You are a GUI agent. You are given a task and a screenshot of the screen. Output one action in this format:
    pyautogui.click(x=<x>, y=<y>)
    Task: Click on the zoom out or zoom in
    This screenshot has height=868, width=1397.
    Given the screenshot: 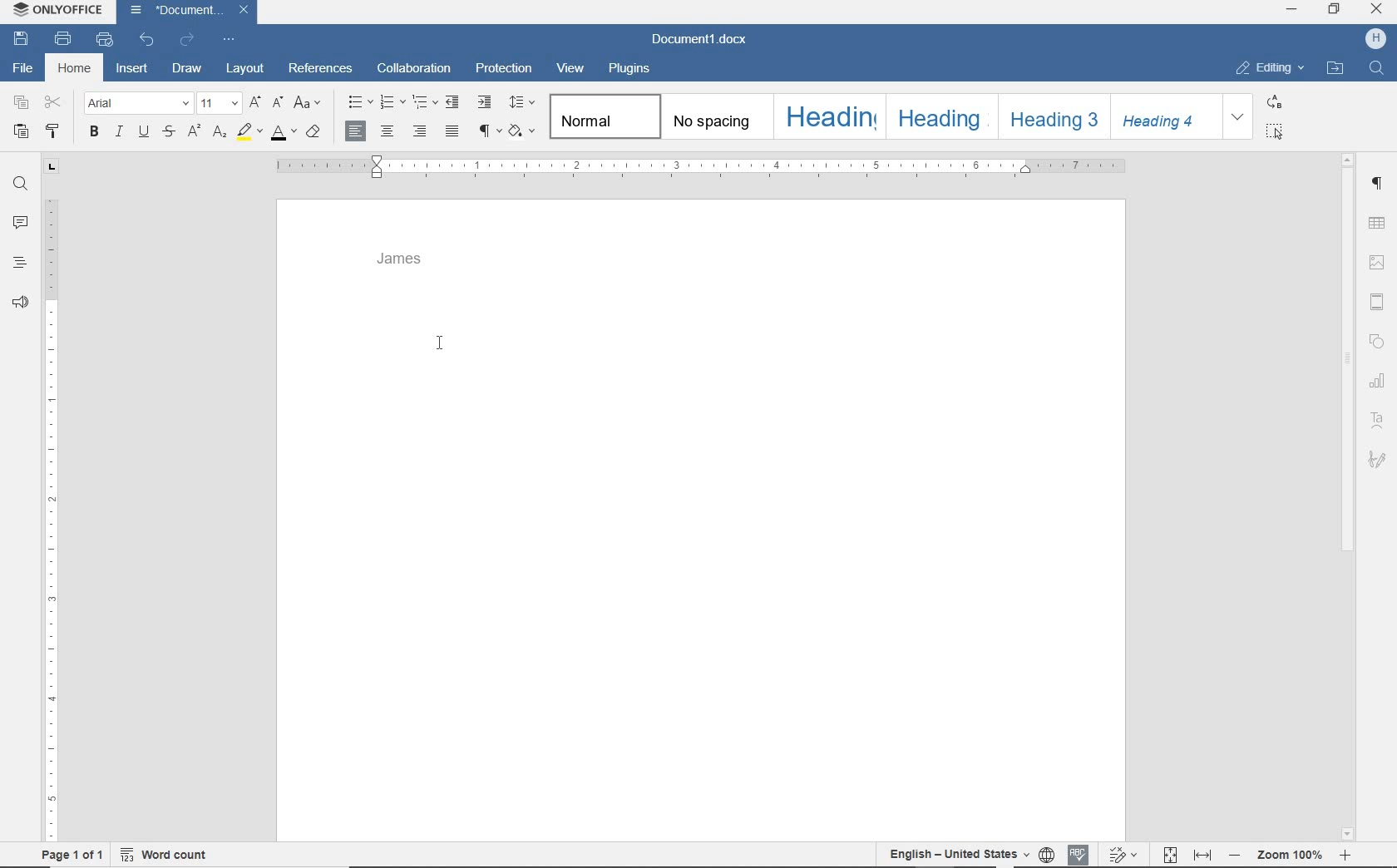 What is the action you would take?
    pyautogui.click(x=1292, y=854)
    